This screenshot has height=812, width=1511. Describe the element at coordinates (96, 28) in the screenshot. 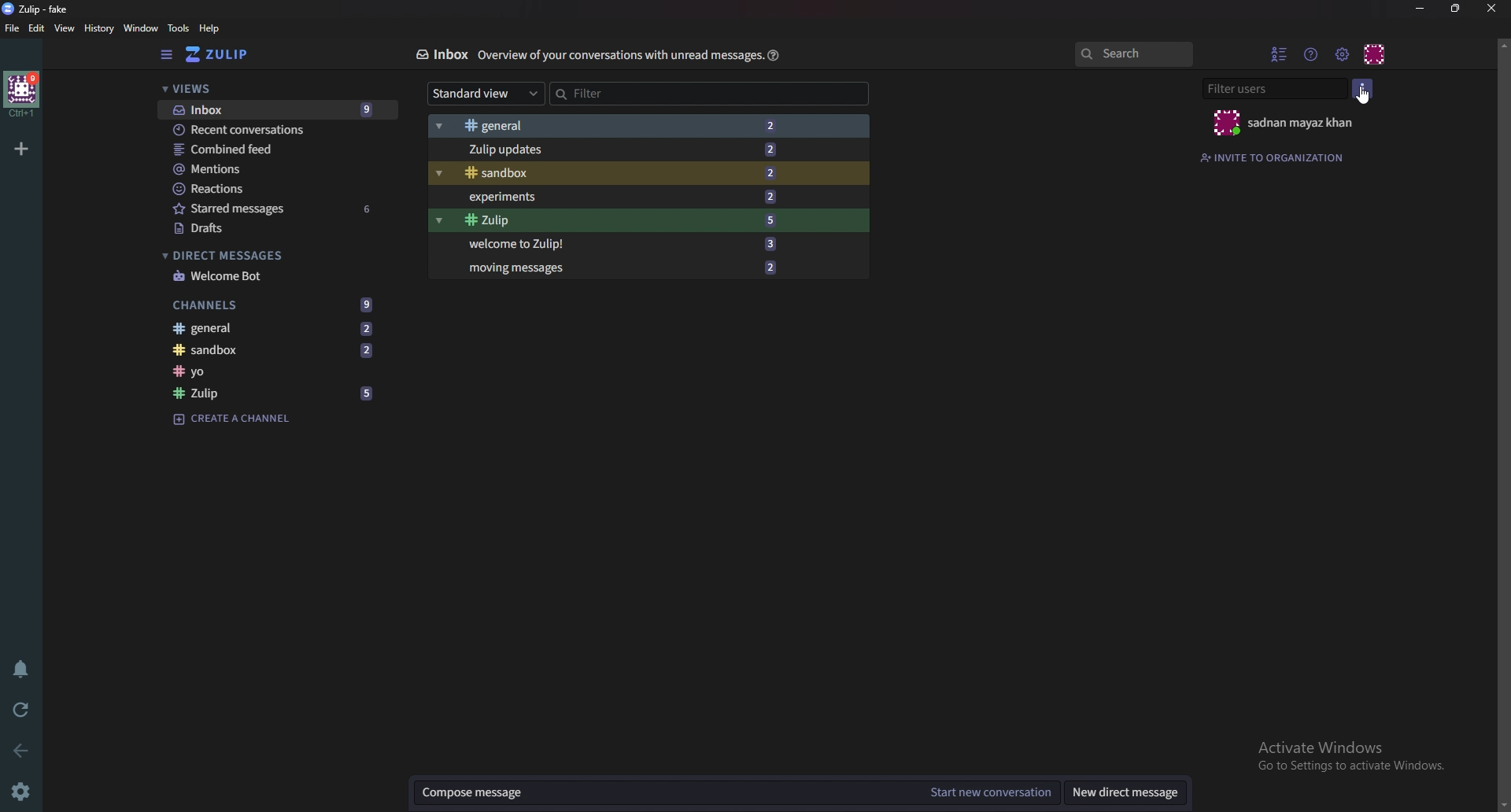

I see `history` at that location.